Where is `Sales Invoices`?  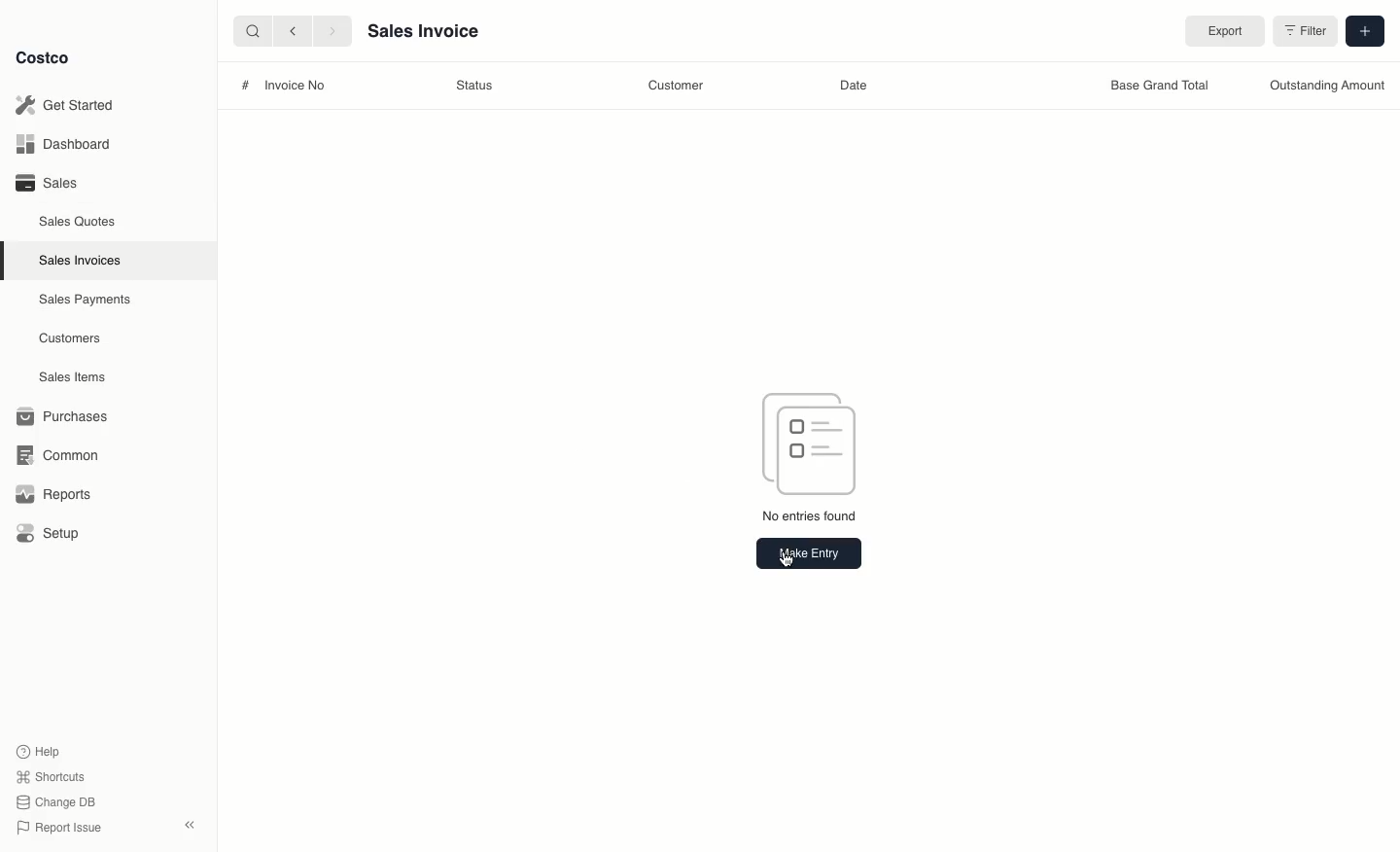
Sales Invoices is located at coordinates (83, 260).